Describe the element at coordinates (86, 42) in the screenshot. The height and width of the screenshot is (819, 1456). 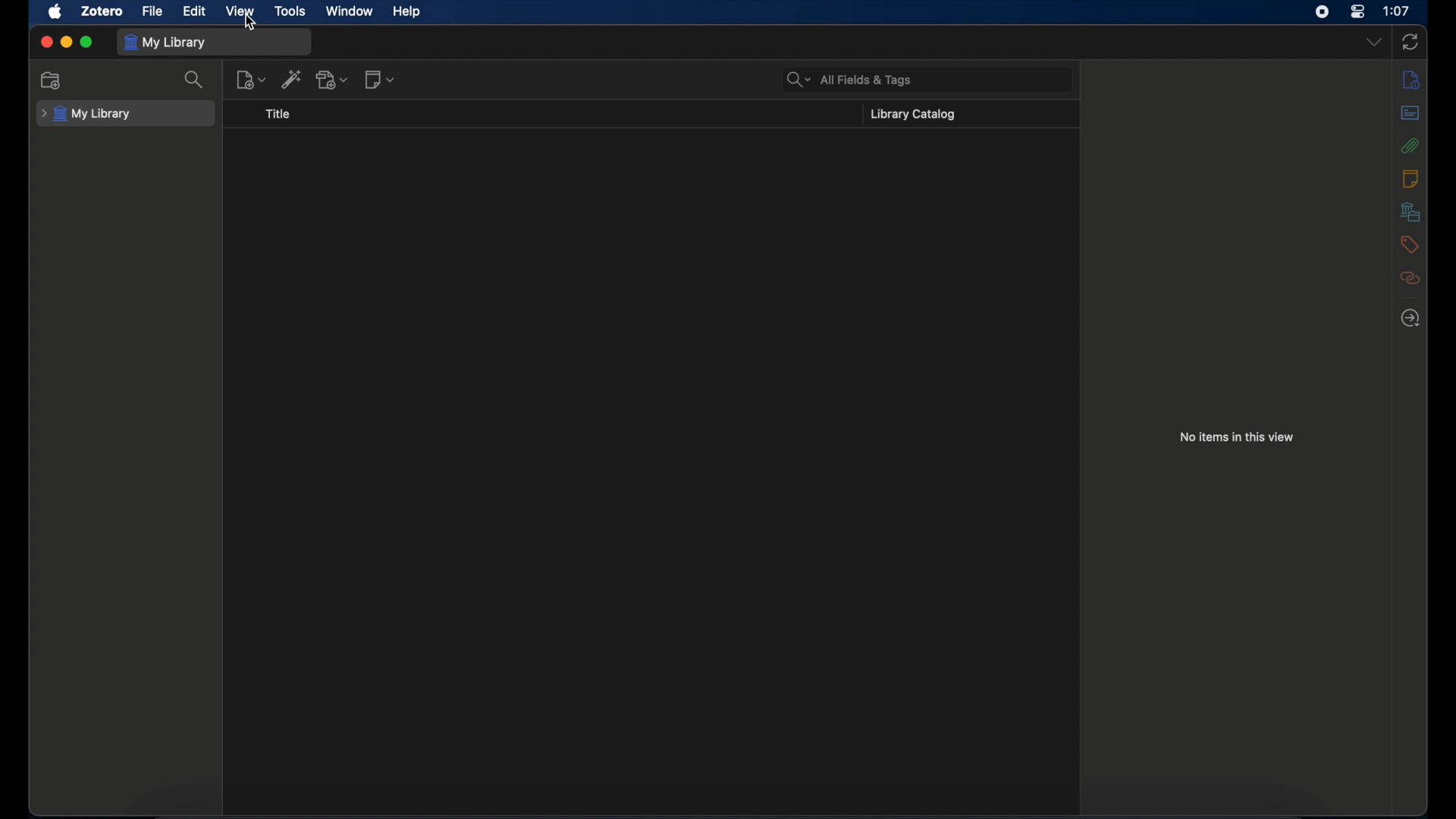
I see `maximize` at that location.